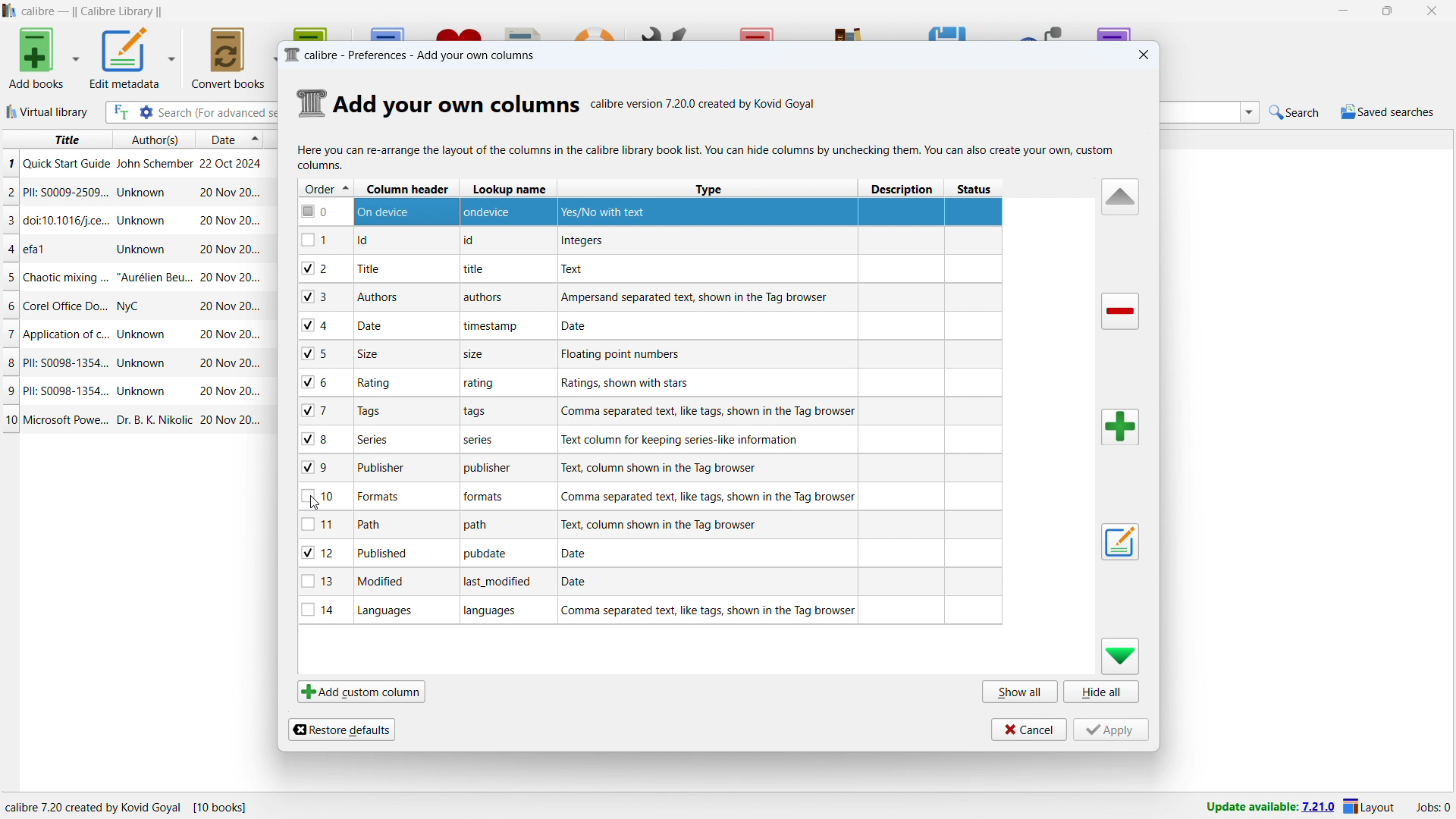 The image size is (1456, 819). I want to click on saved searches menu, so click(1388, 111).